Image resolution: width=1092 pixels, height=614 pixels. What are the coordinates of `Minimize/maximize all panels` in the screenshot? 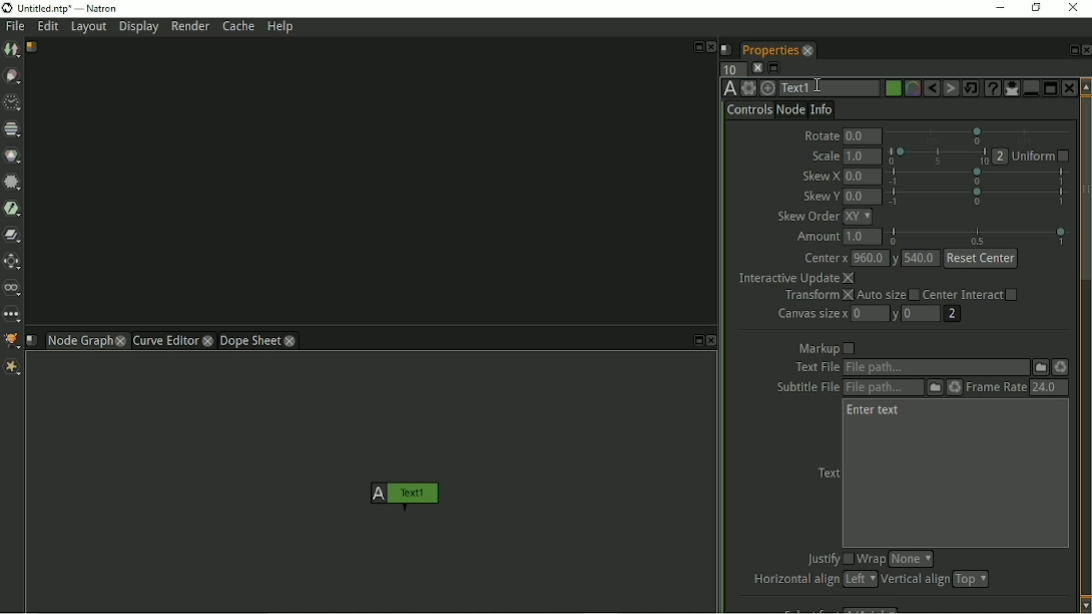 It's located at (775, 68).